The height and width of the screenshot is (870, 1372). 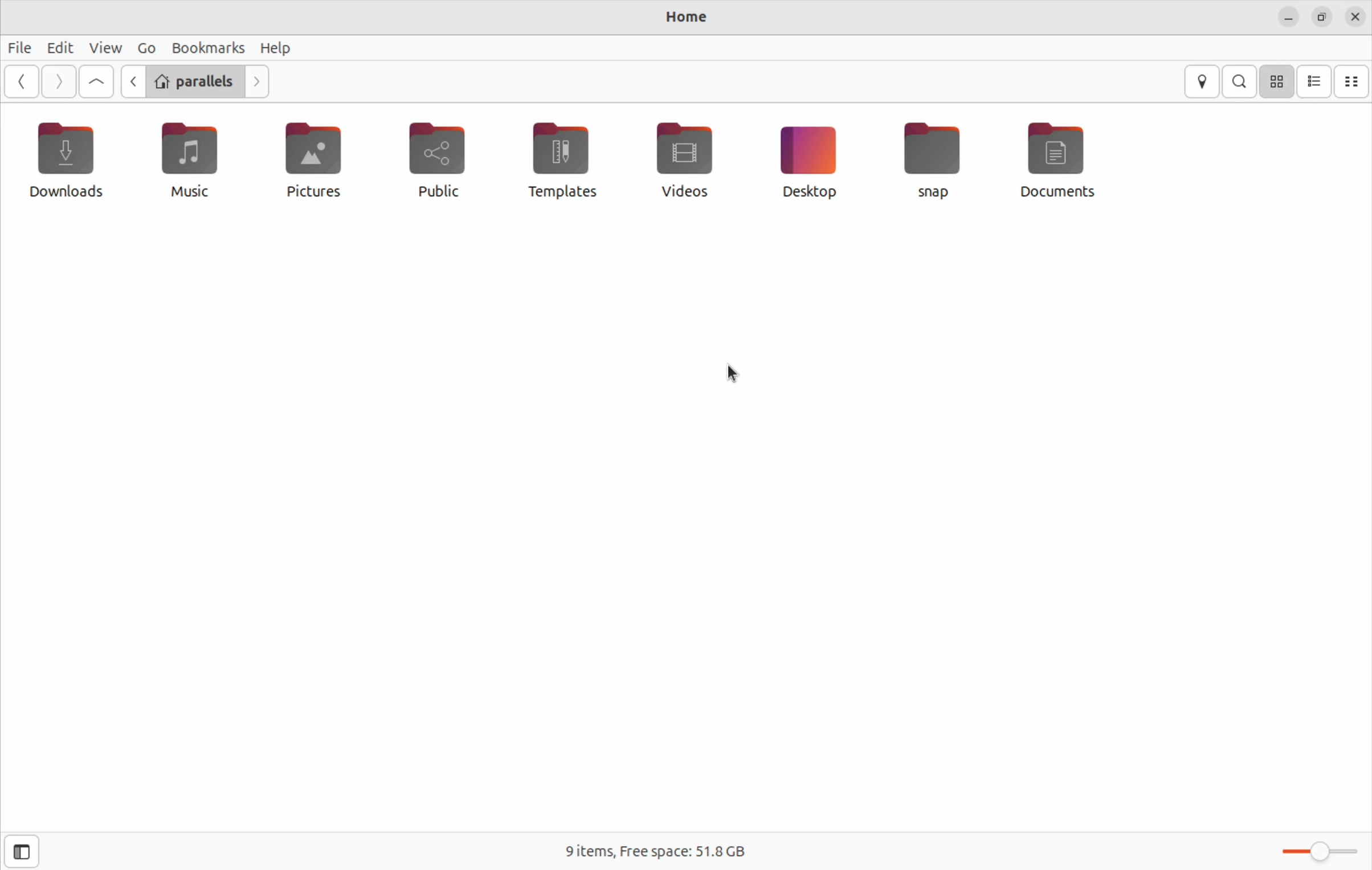 What do you see at coordinates (1355, 17) in the screenshot?
I see `close` at bounding box center [1355, 17].